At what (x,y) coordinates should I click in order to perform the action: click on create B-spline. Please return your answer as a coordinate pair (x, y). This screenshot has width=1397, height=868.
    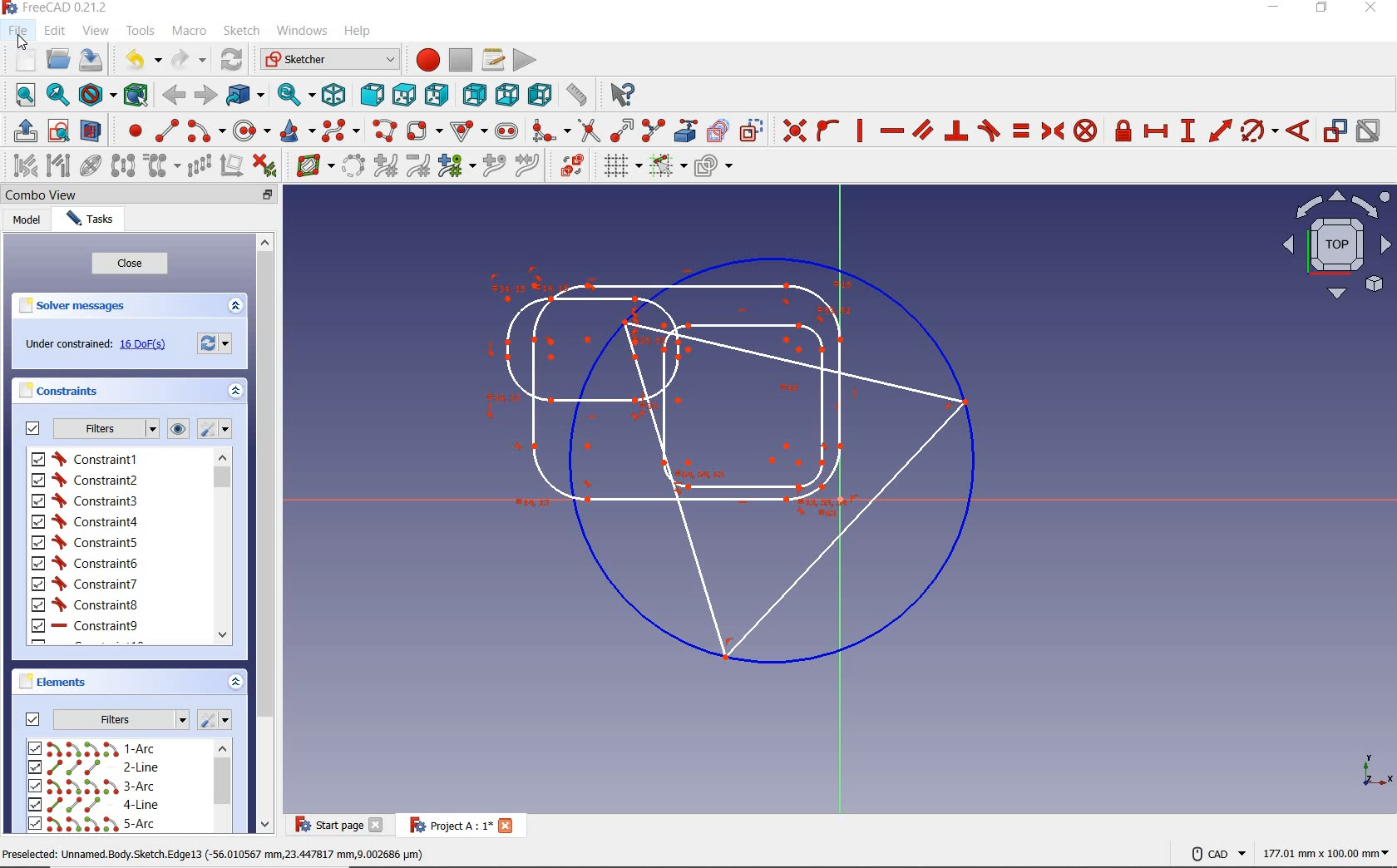
    Looking at the image, I should click on (339, 131).